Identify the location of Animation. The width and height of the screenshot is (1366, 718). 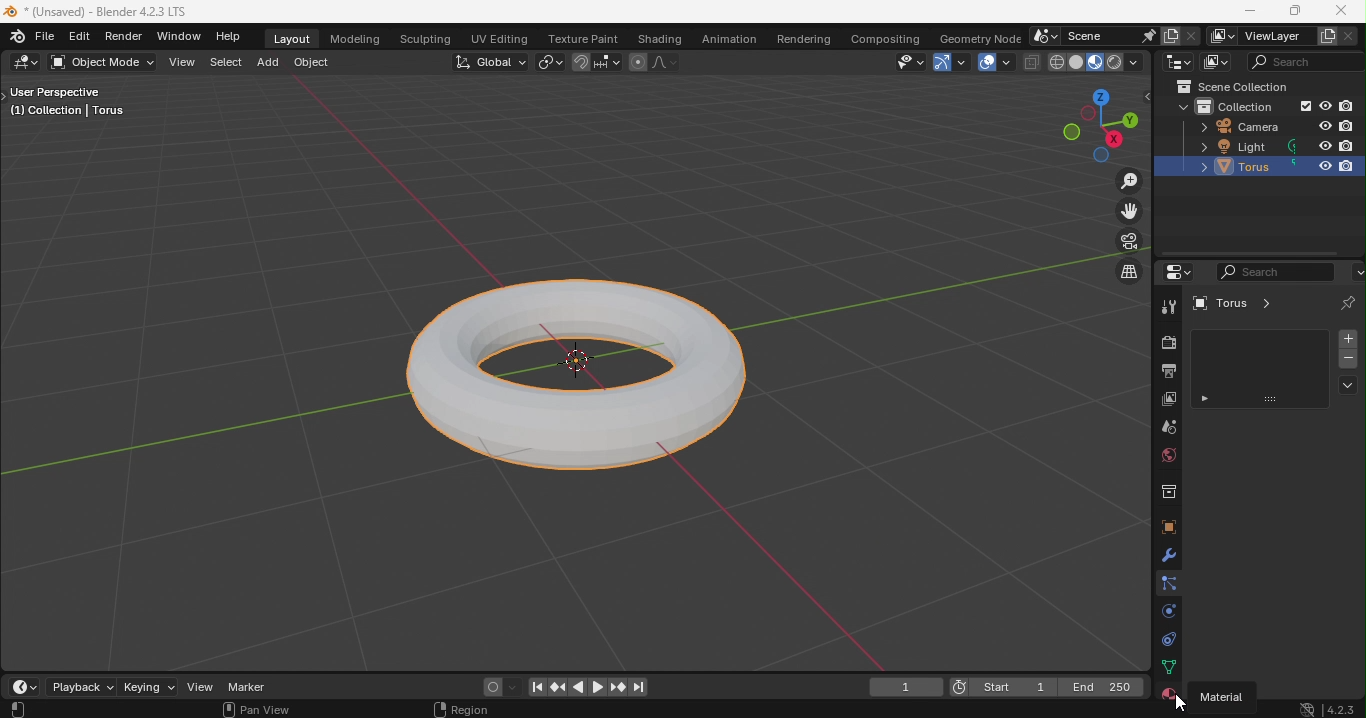
(730, 37).